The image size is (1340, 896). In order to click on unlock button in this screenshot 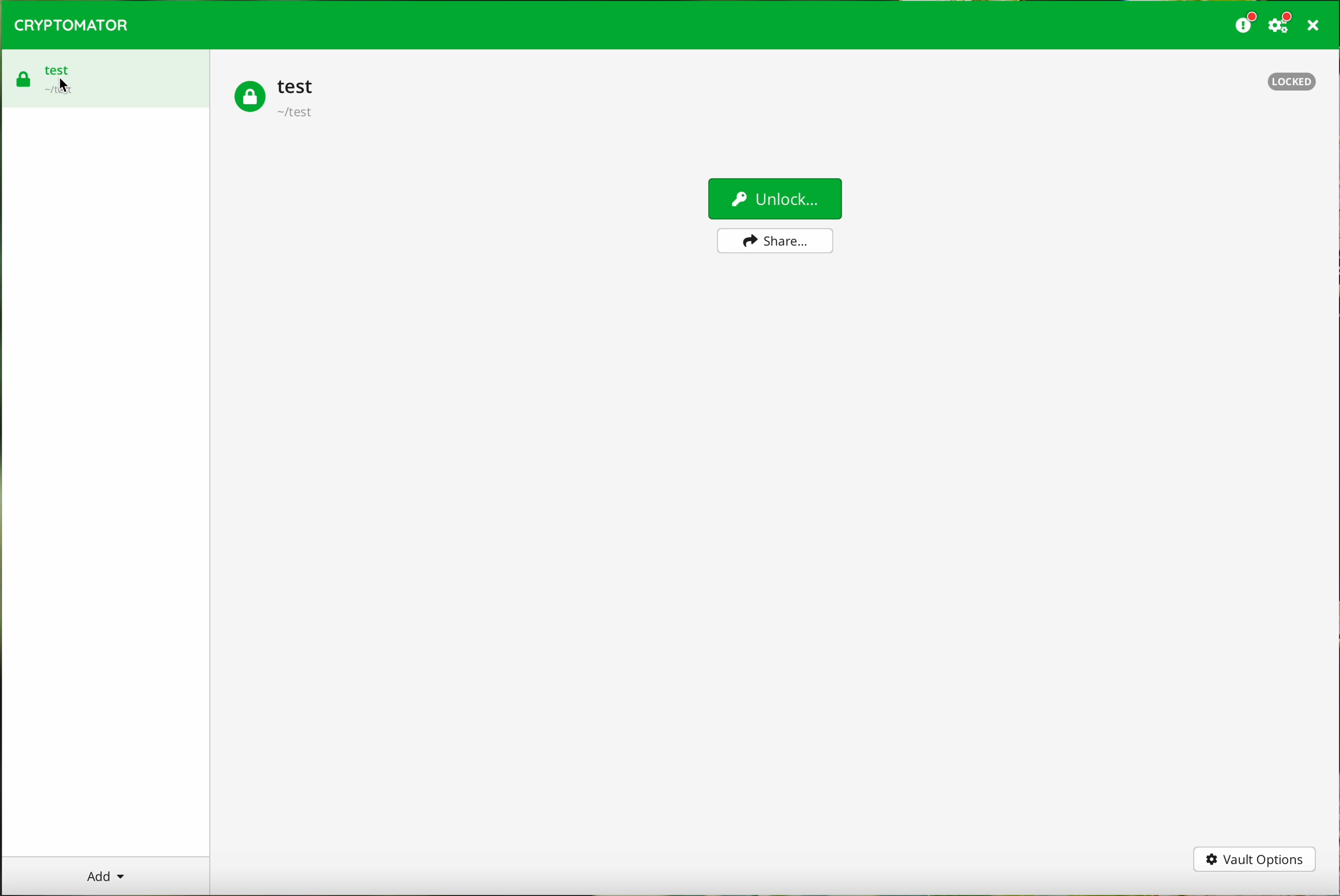, I will do `click(774, 198)`.